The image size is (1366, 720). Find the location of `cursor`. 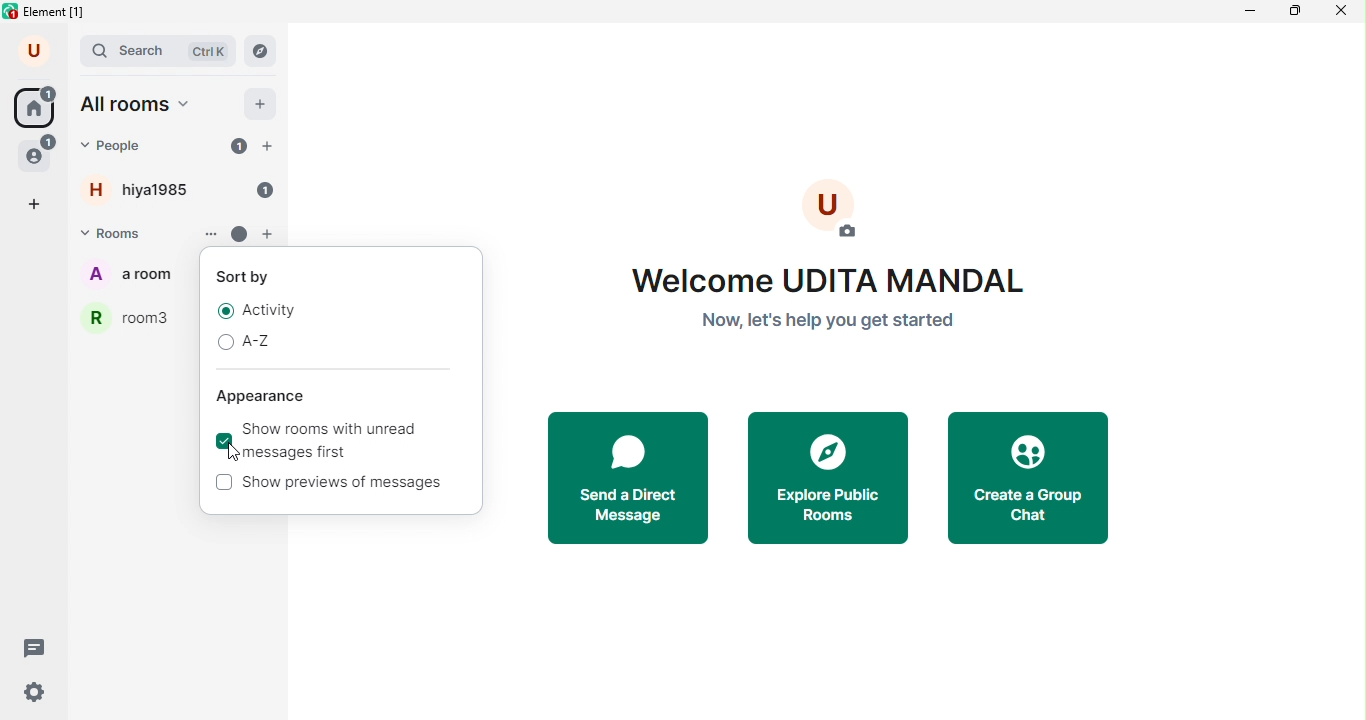

cursor is located at coordinates (235, 454).